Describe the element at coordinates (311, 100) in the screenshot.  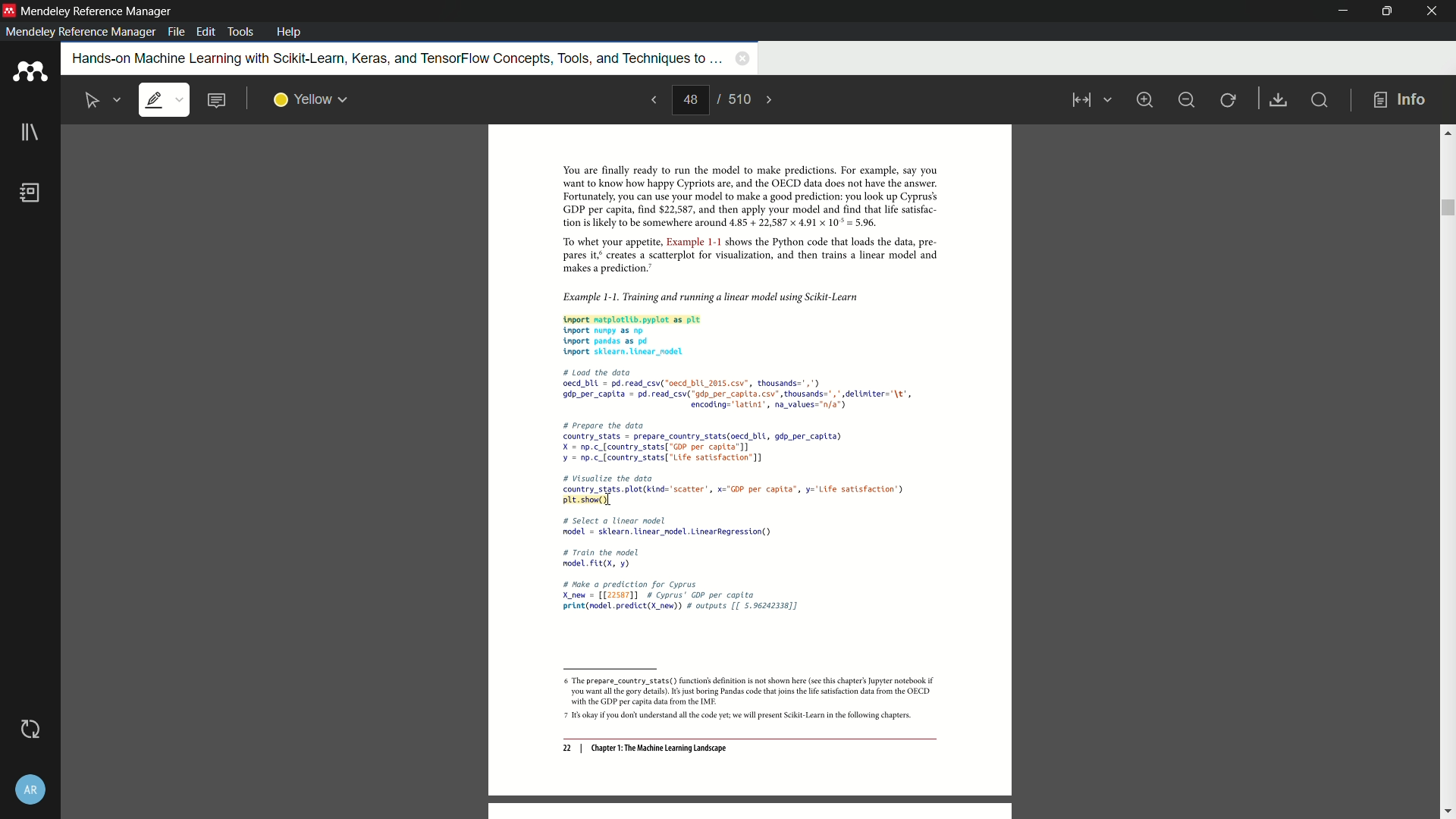
I see `highlight color` at that location.